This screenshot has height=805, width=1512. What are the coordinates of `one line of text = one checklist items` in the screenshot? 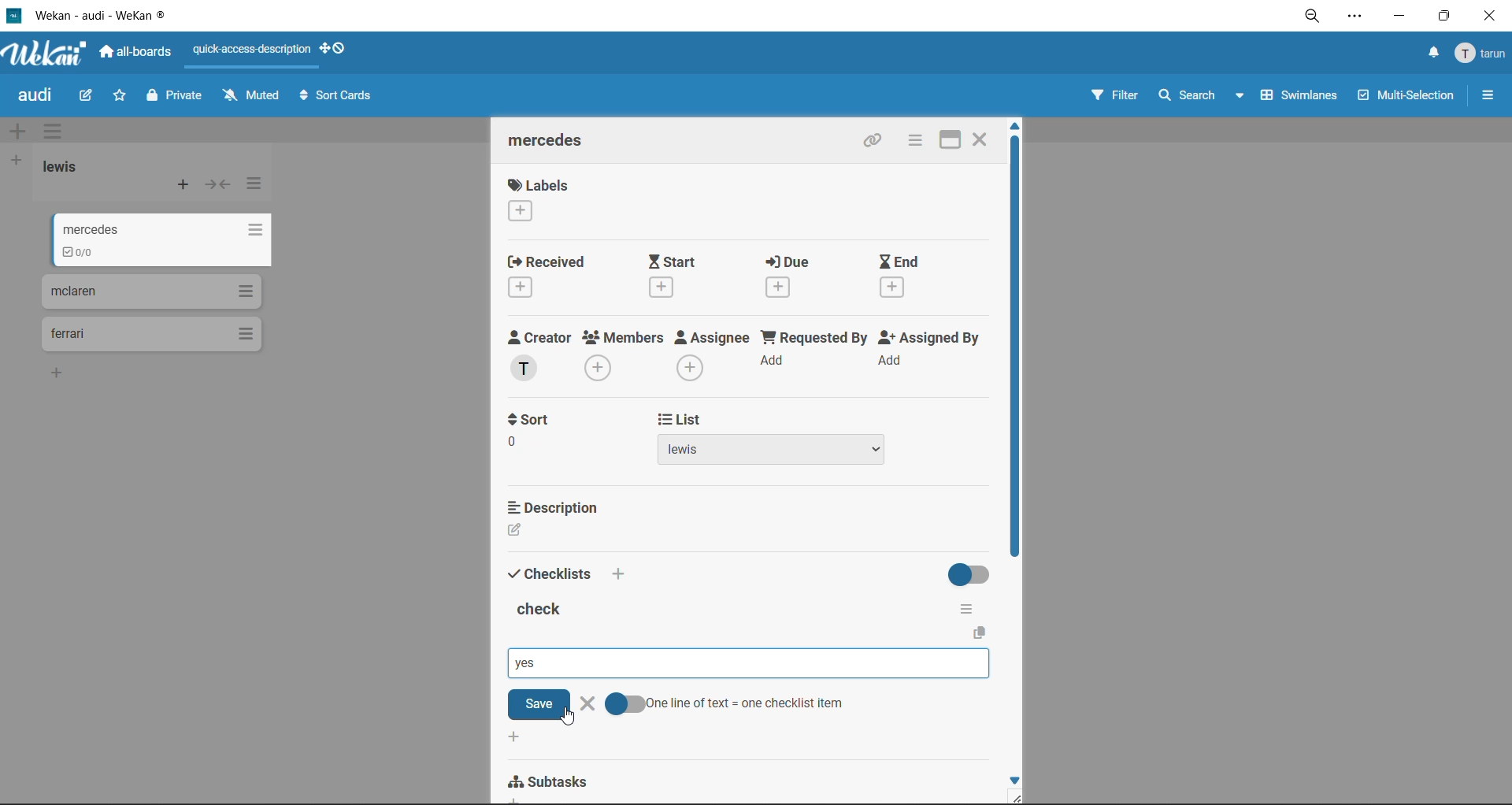 It's located at (732, 703).